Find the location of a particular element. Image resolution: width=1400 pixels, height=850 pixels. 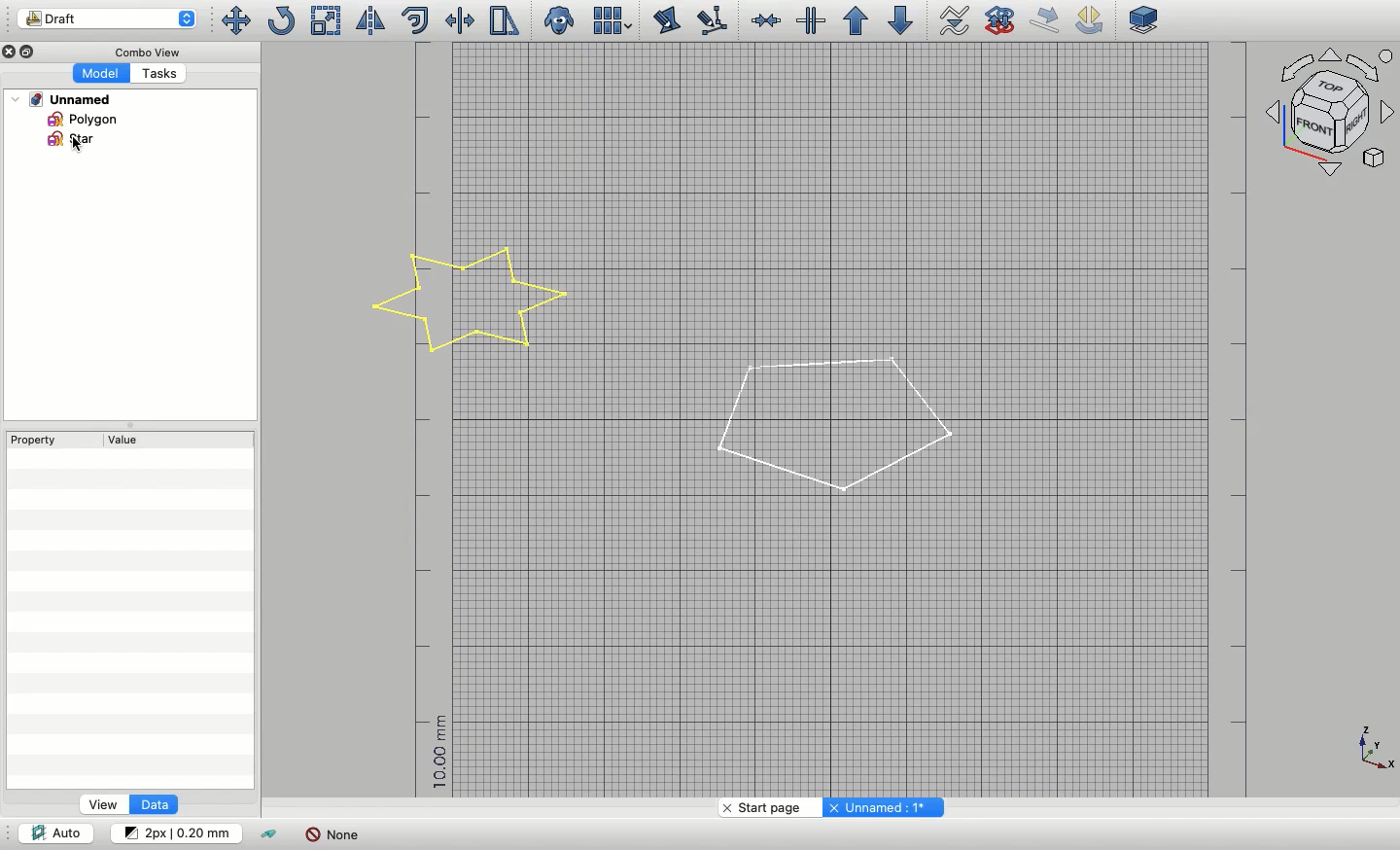

Split is located at coordinates (810, 20).